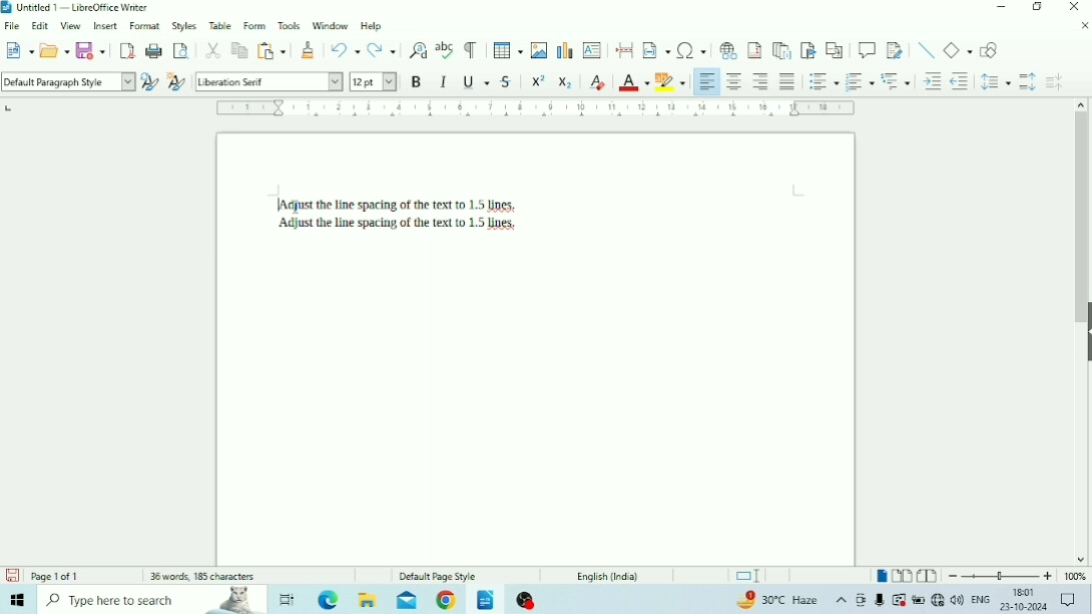 This screenshot has height=614, width=1092. What do you see at coordinates (297, 208) in the screenshot?
I see `text cursor` at bounding box center [297, 208].